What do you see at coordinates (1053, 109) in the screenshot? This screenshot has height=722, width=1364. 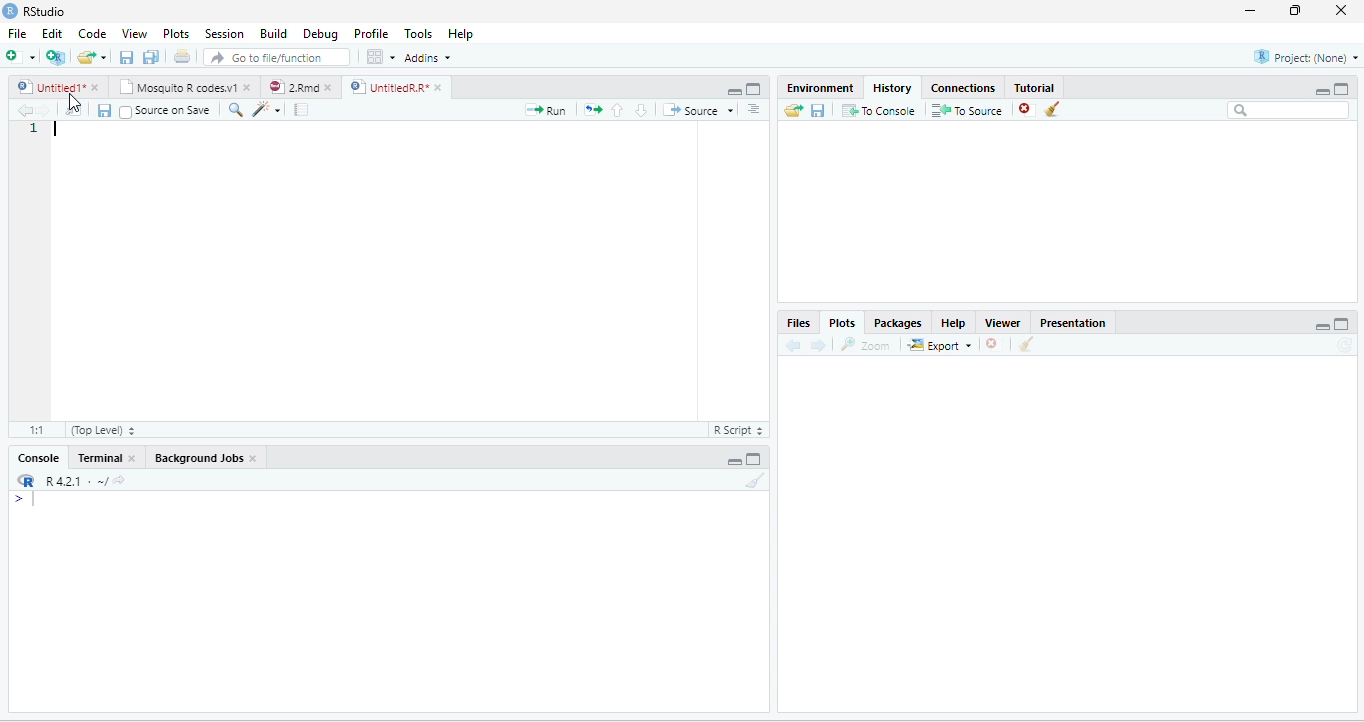 I see `Clear all history entries` at bounding box center [1053, 109].